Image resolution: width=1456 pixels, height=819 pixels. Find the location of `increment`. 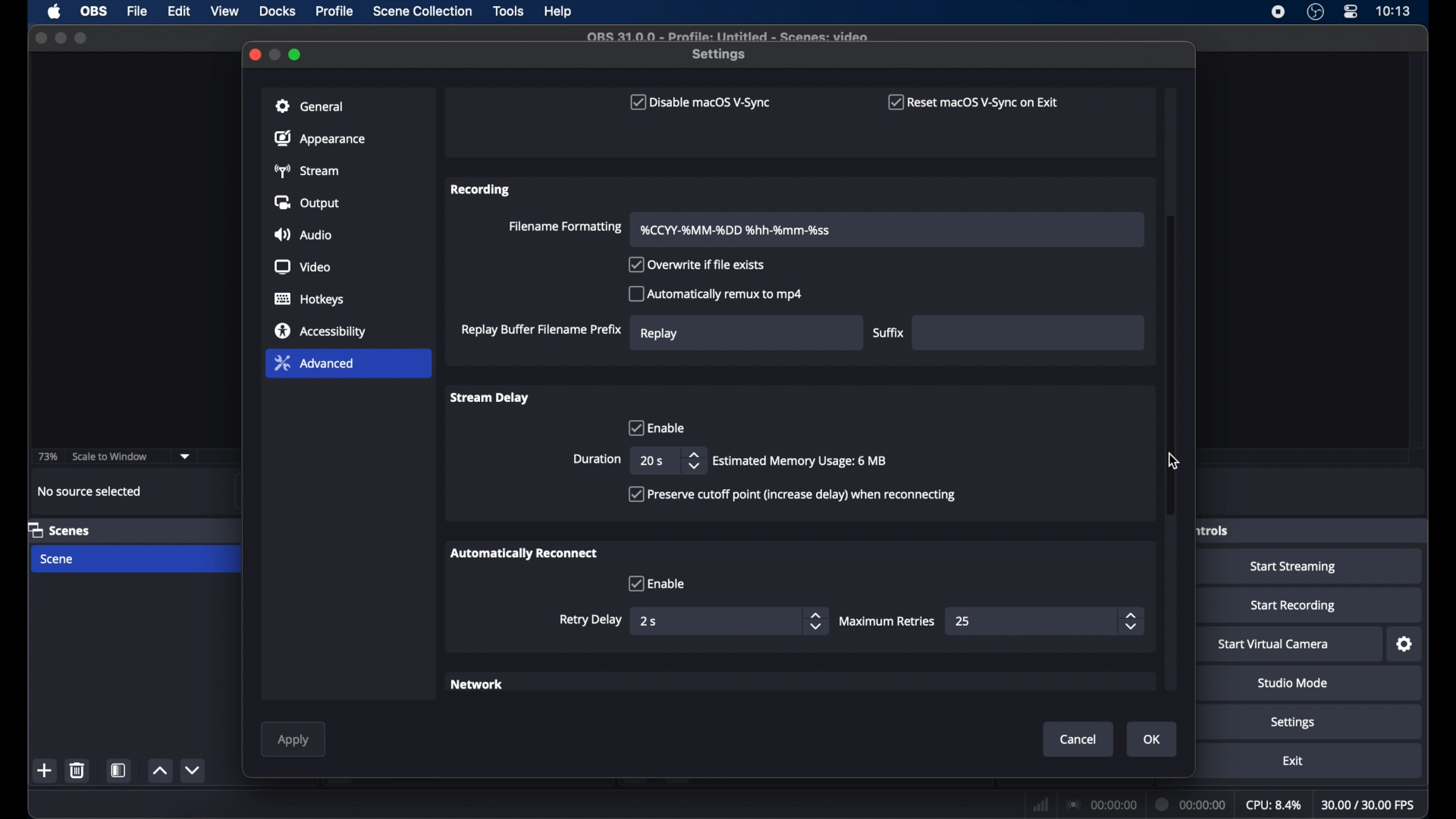

increment is located at coordinates (160, 771).